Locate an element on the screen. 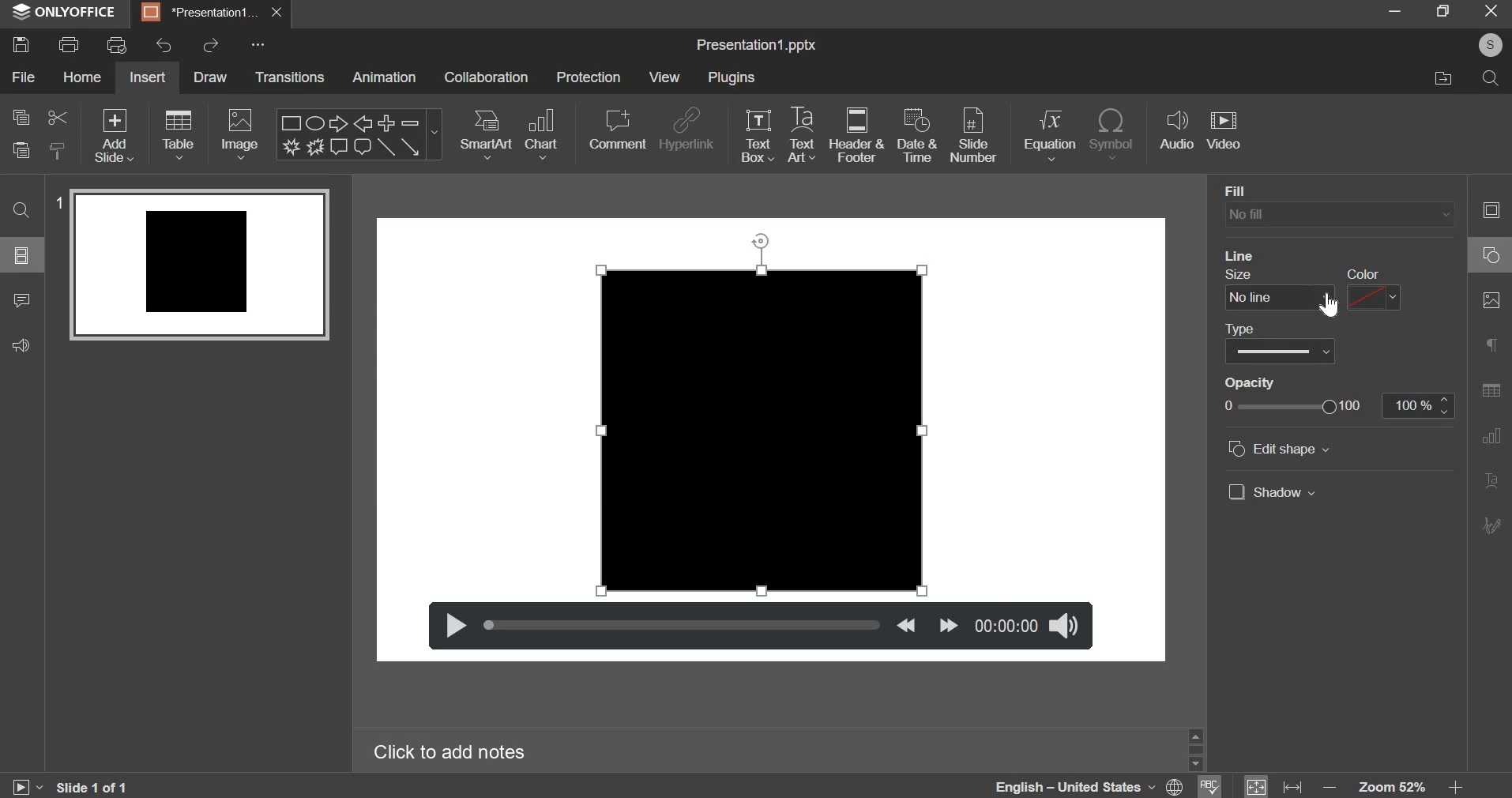  animation is located at coordinates (384, 77).